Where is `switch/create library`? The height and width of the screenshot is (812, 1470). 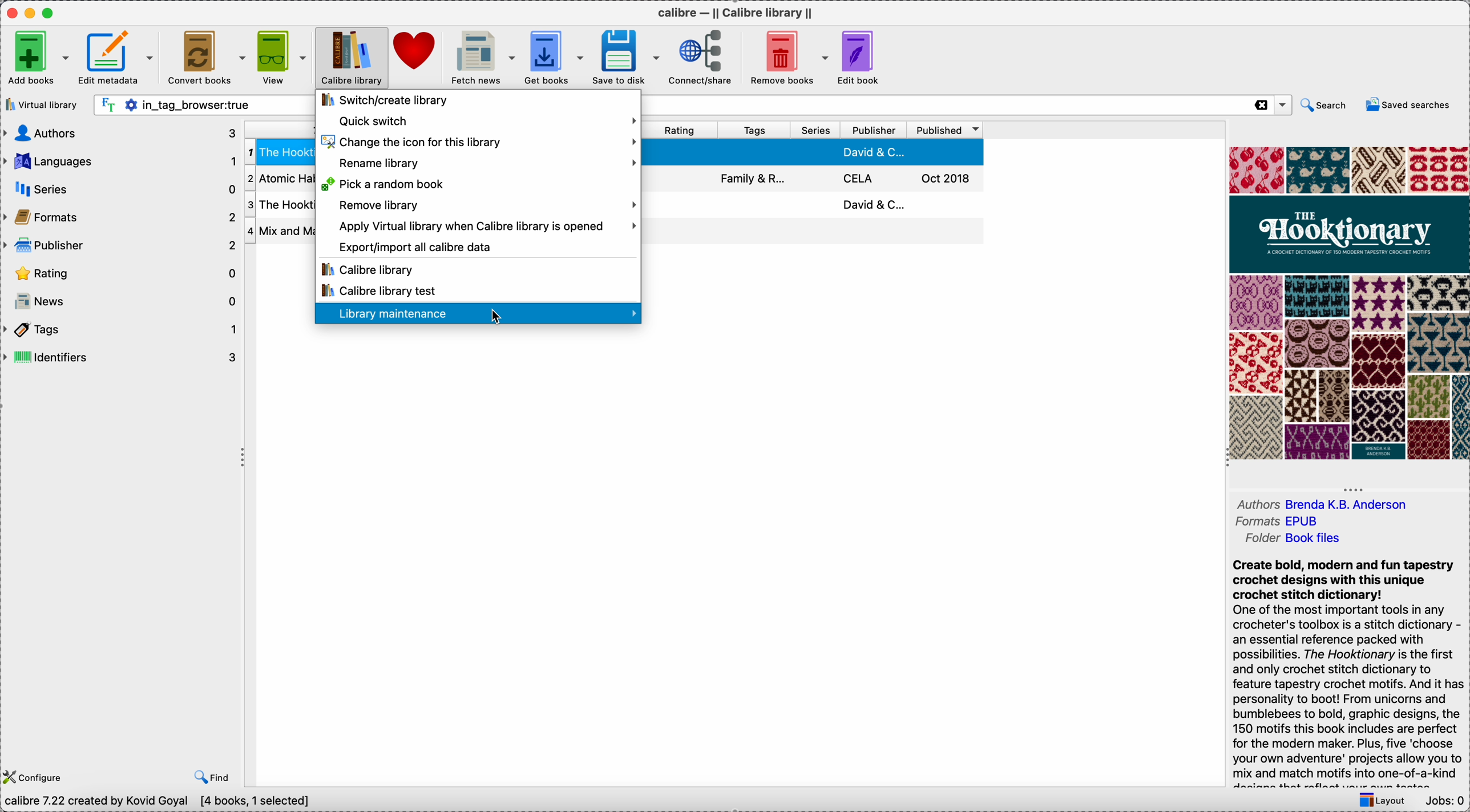 switch/create library is located at coordinates (389, 101).